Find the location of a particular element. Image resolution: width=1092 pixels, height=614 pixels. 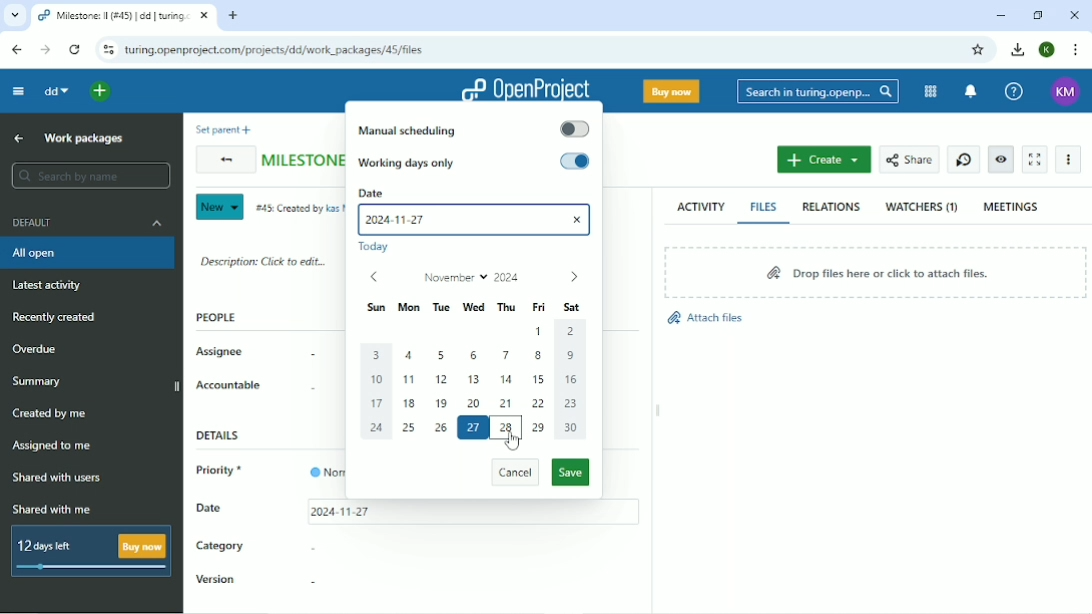

toggle is located at coordinates (575, 162).